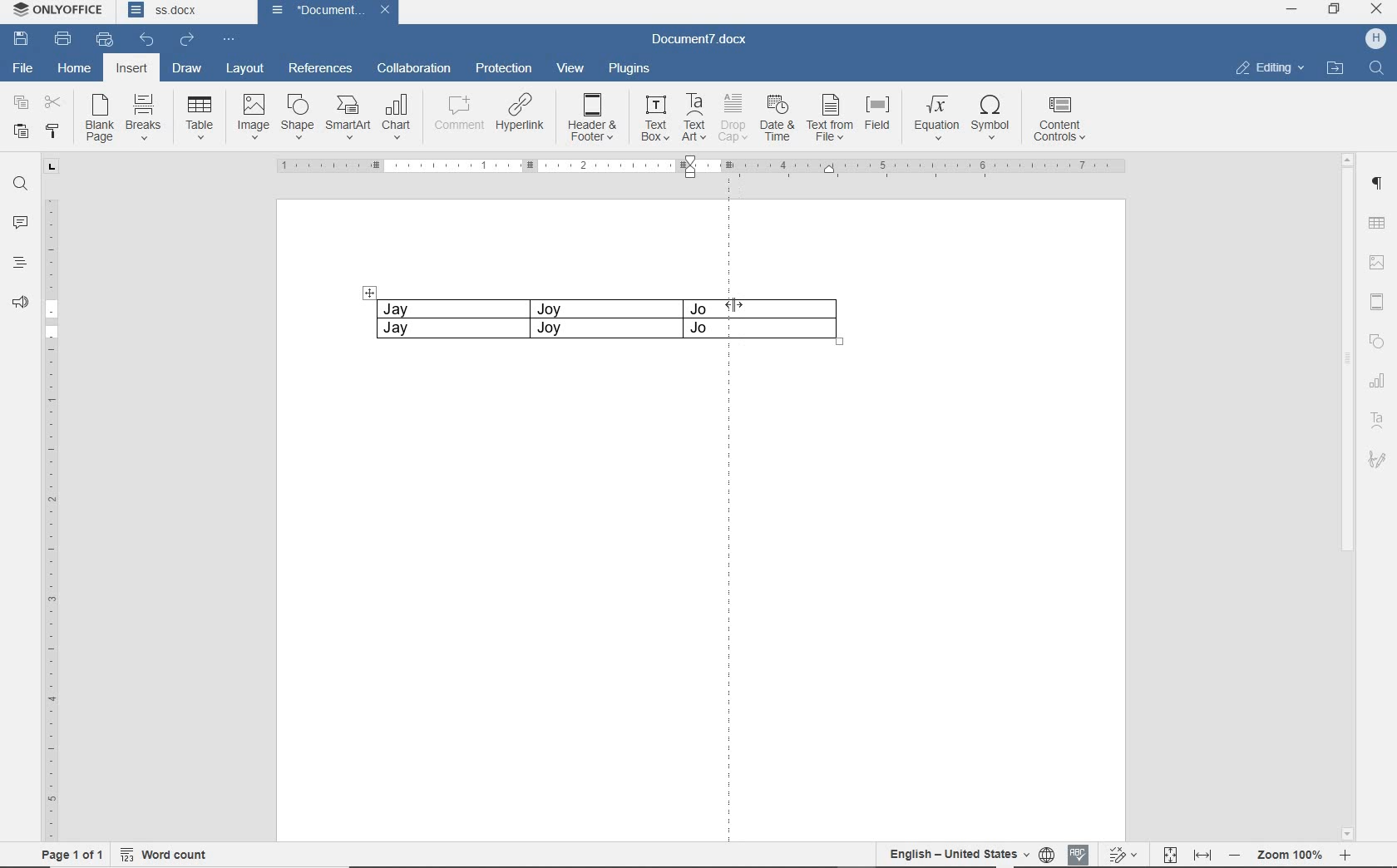 This screenshot has width=1397, height=868. Describe the element at coordinates (52, 132) in the screenshot. I see `COPY STYLE` at that location.